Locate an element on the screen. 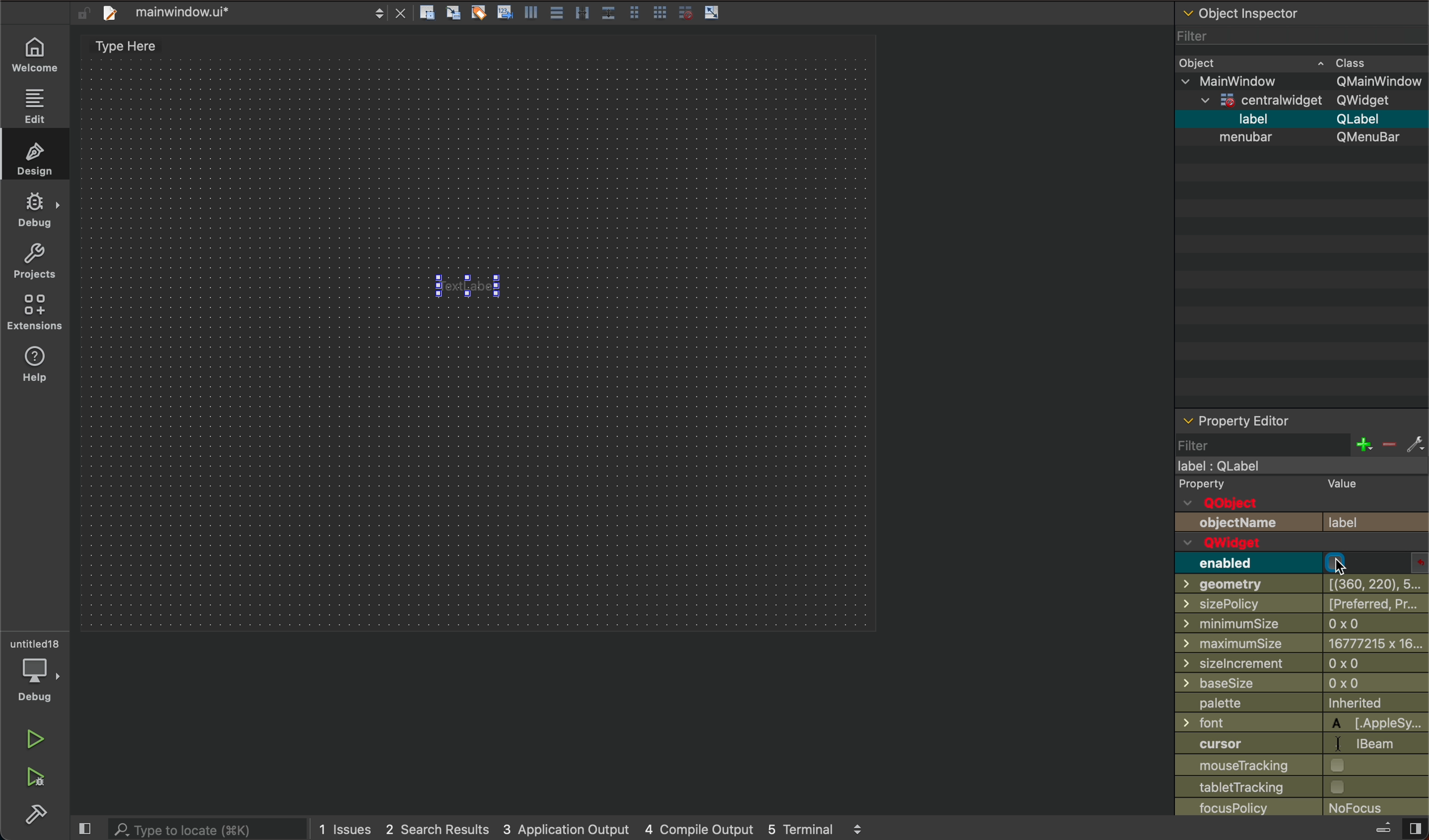 This screenshot has width=1429, height=840. Property is located at coordinates (1217, 482).